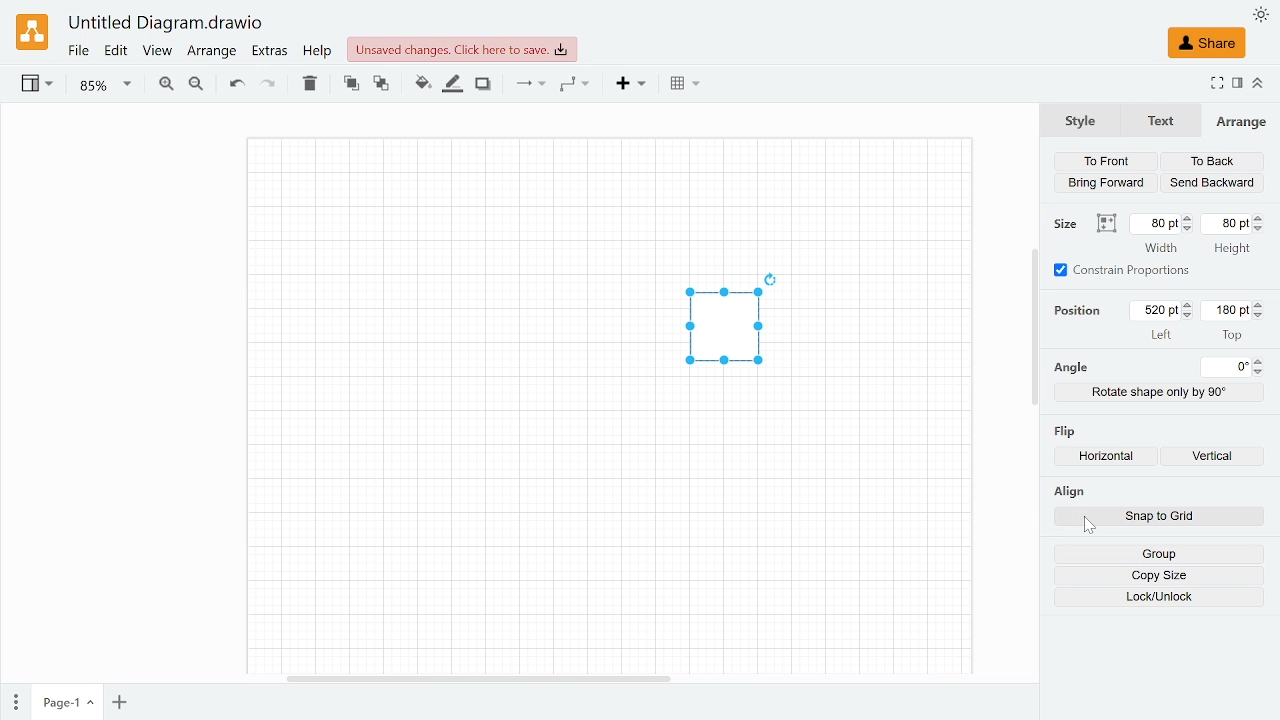 The height and width of the screenshot is (720, 1280). What do you see at coordinates (1160, 597) in the screenshot?
I see `Lock/Unlock` at bounding box center [1160, 597].